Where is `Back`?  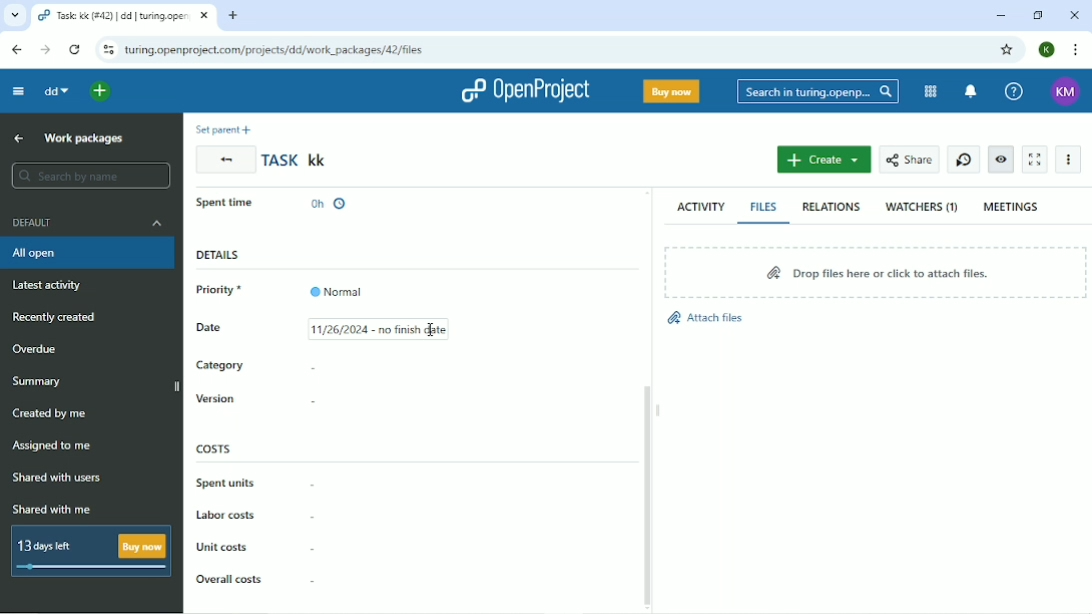 Back is located at coordinates (225, 159).